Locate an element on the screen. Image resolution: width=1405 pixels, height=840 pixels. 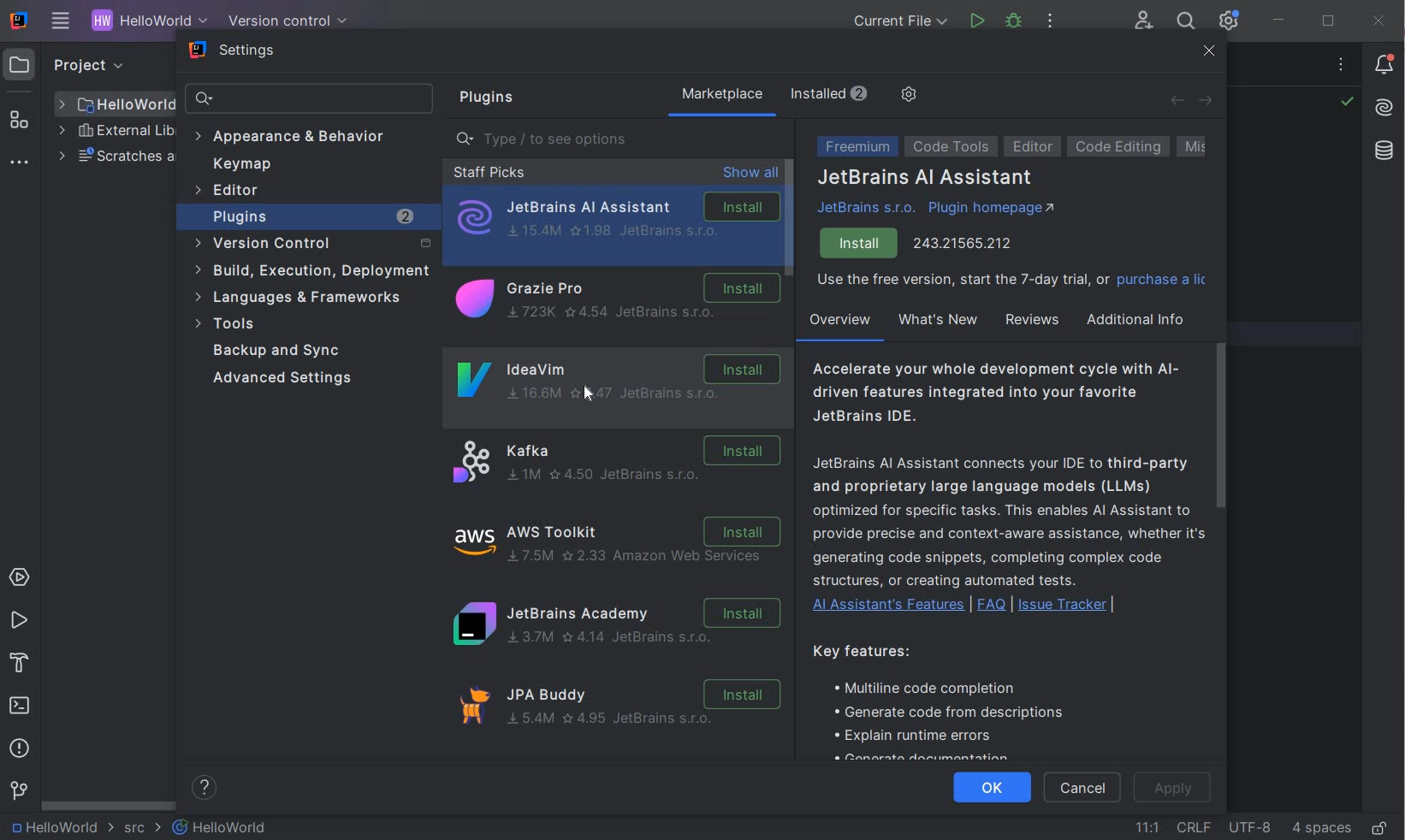
INDENT is located at coordinates (1320, 827).